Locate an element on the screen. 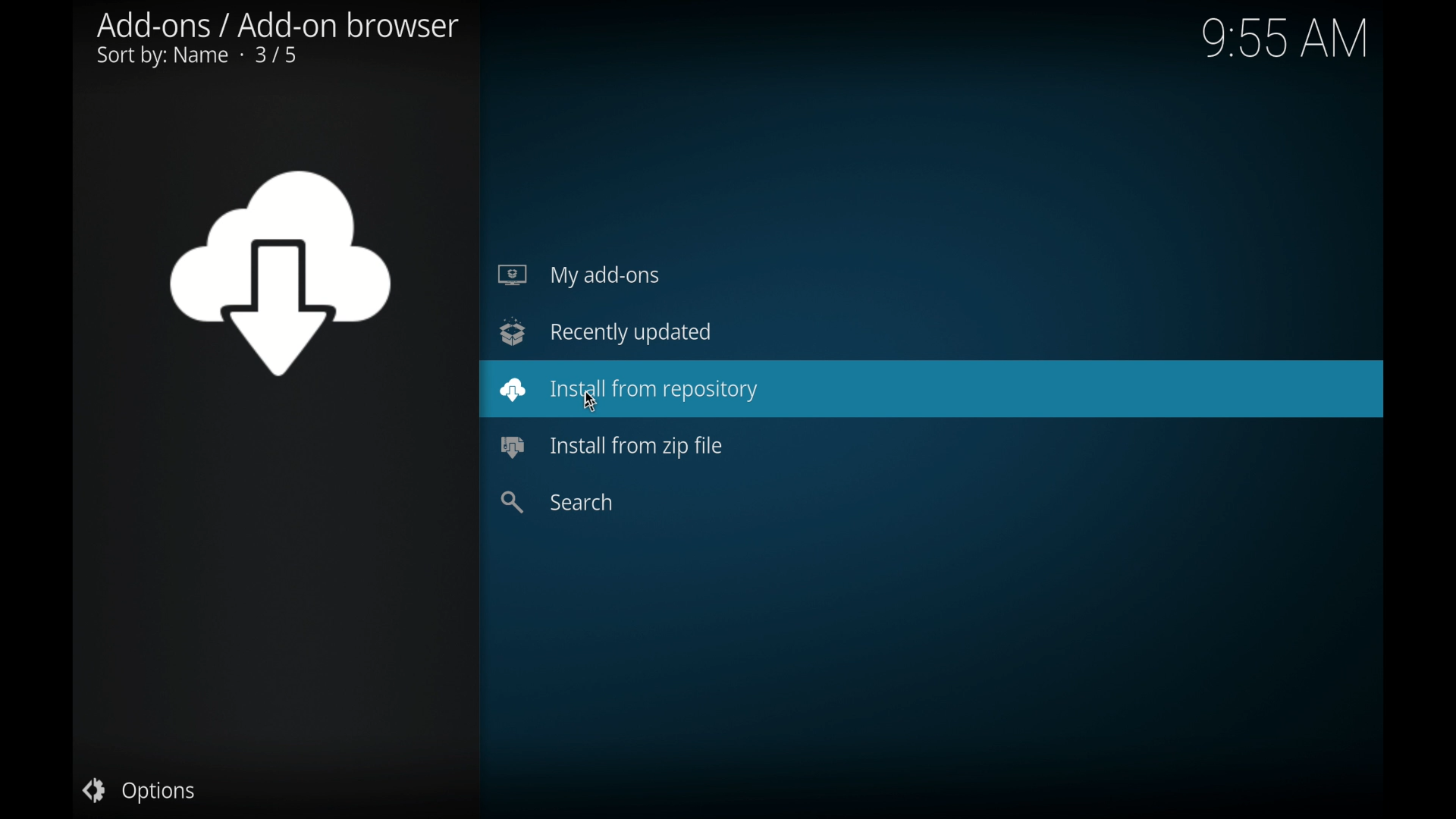 Image resolution: width=1456 pixels, height=819 pixels. install from repository is located at coordinates (933, 388).